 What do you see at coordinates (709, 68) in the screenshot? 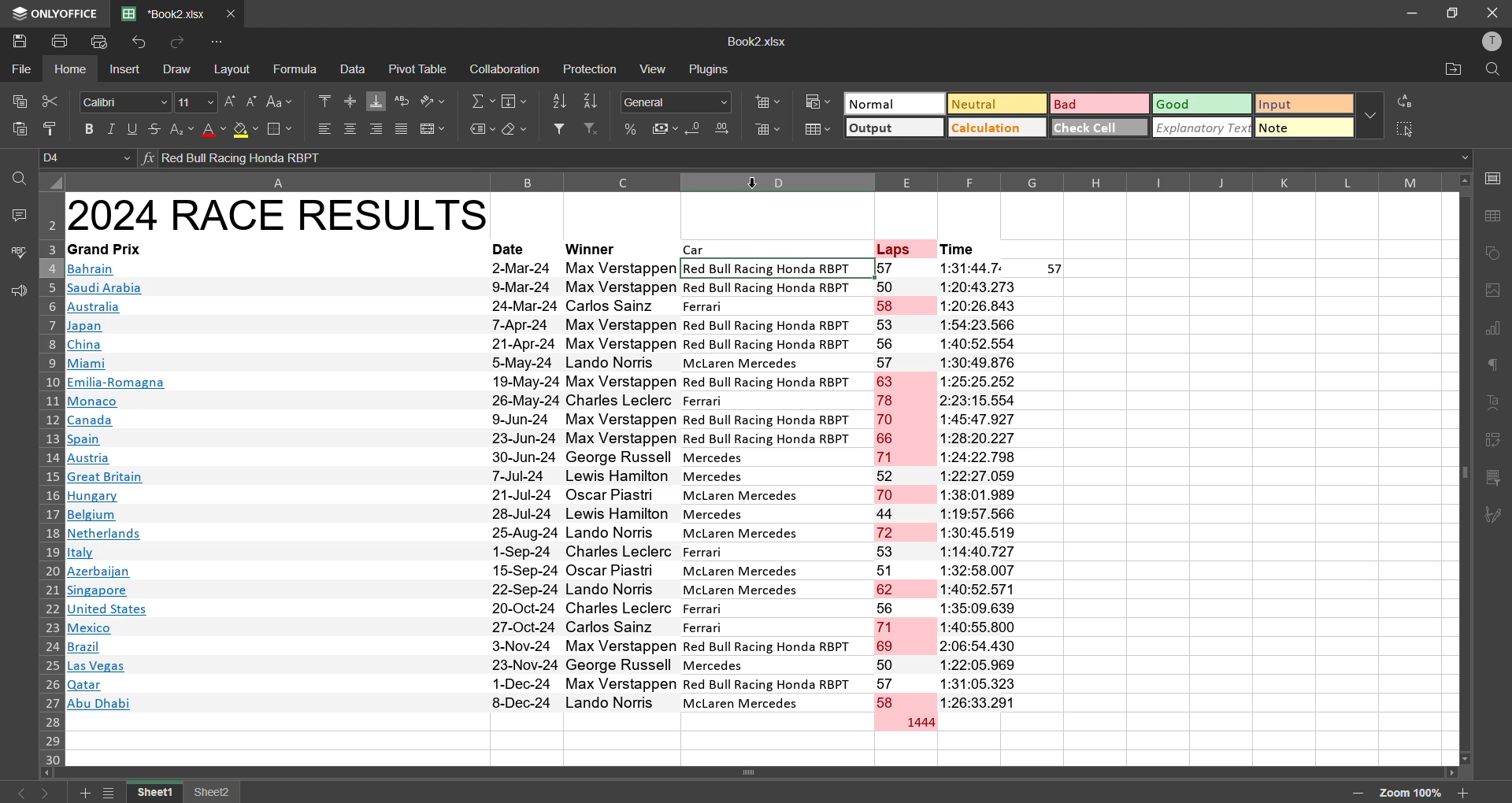
I see `plugins` at bounding box center [709, 68].